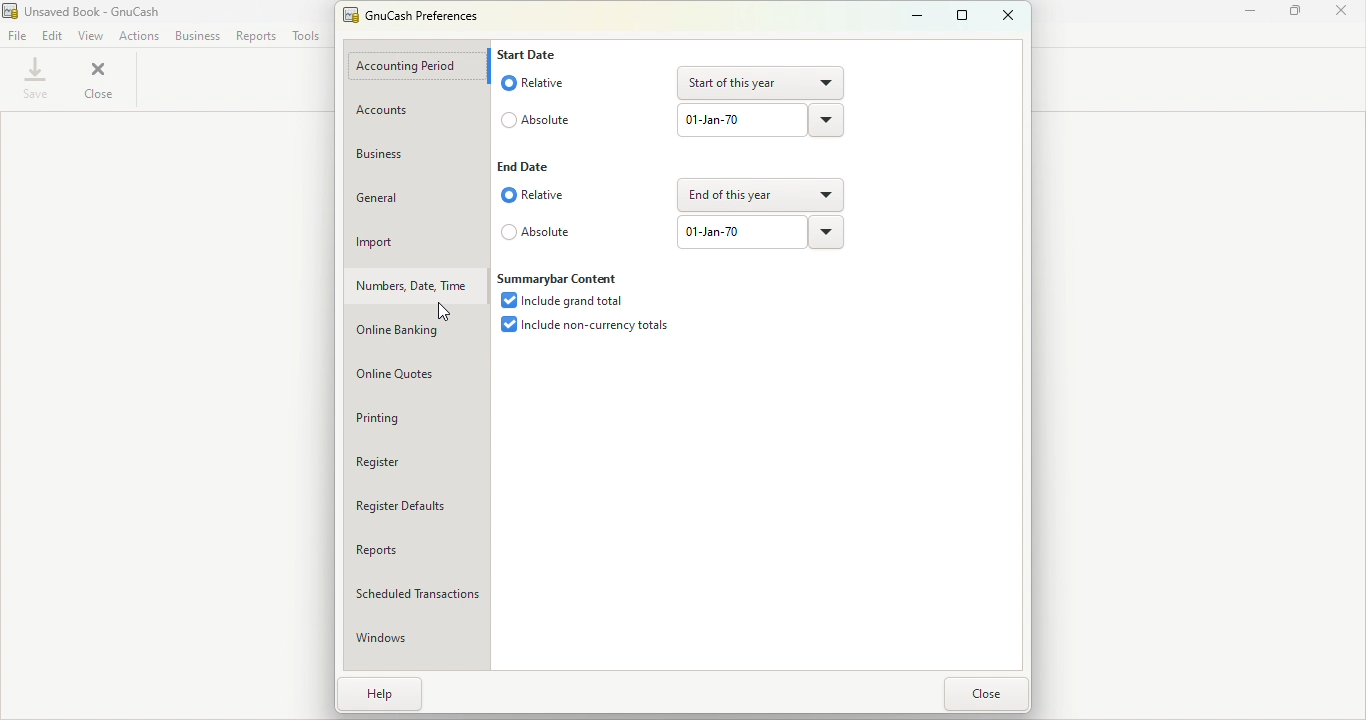  I want to click on Numbers, so click(420, 285).